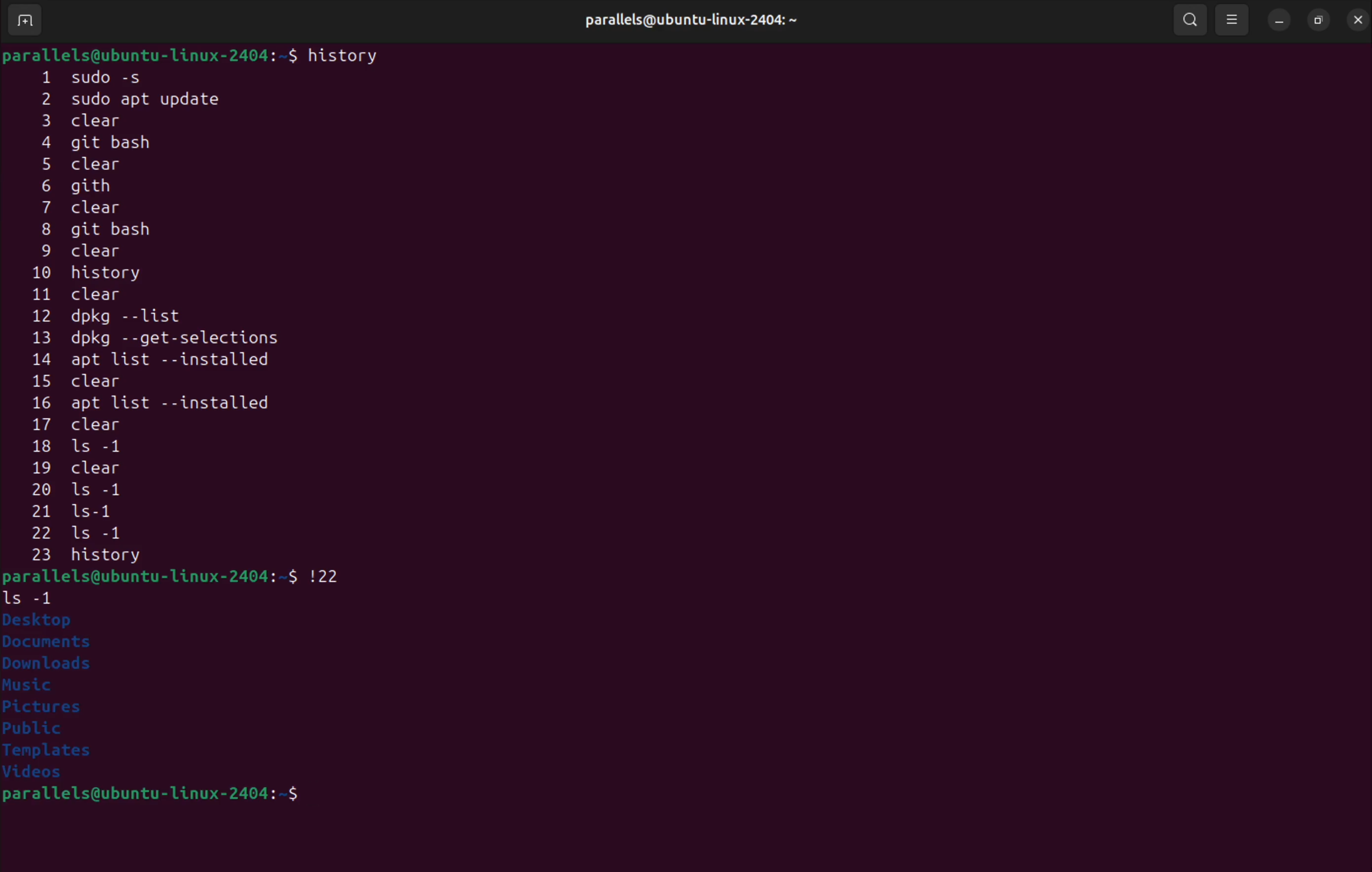 This screenshot has height=872, width=1372. I want to click on add terminal, so click(25, 22).